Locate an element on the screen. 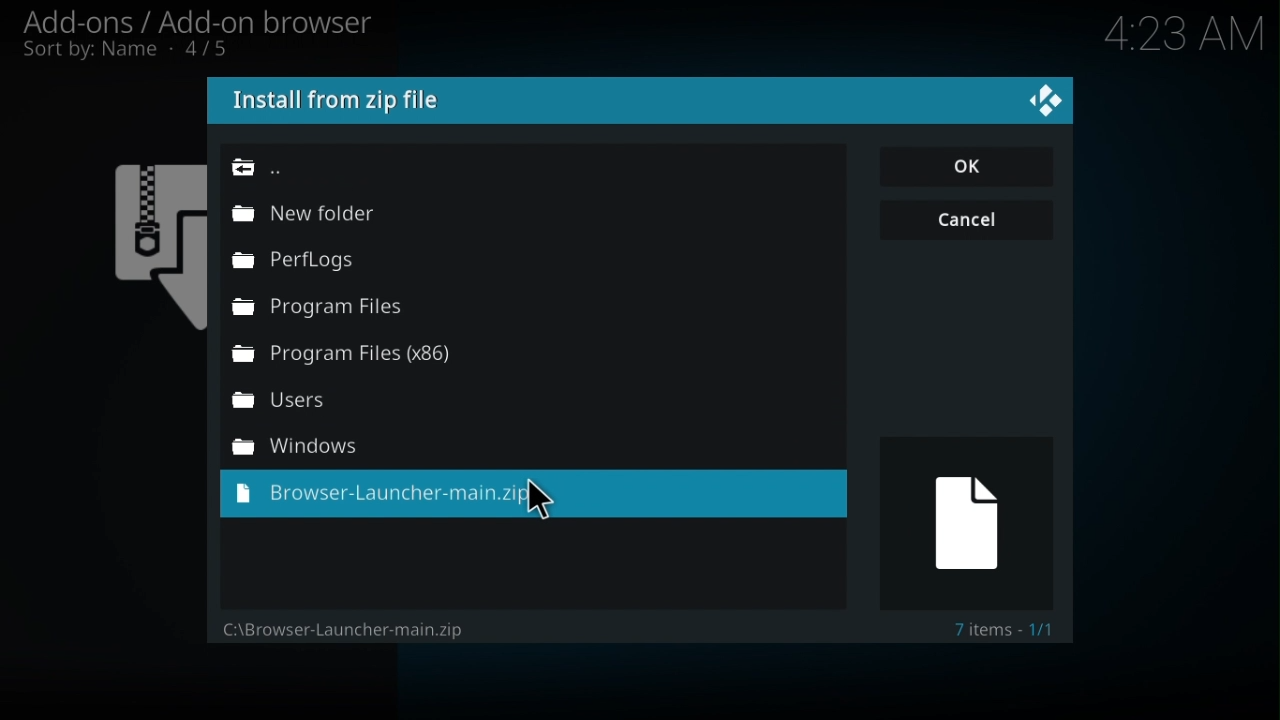 This screenshot has height=720, width=1280. kodi logo is located at coordinates (1045, 99).